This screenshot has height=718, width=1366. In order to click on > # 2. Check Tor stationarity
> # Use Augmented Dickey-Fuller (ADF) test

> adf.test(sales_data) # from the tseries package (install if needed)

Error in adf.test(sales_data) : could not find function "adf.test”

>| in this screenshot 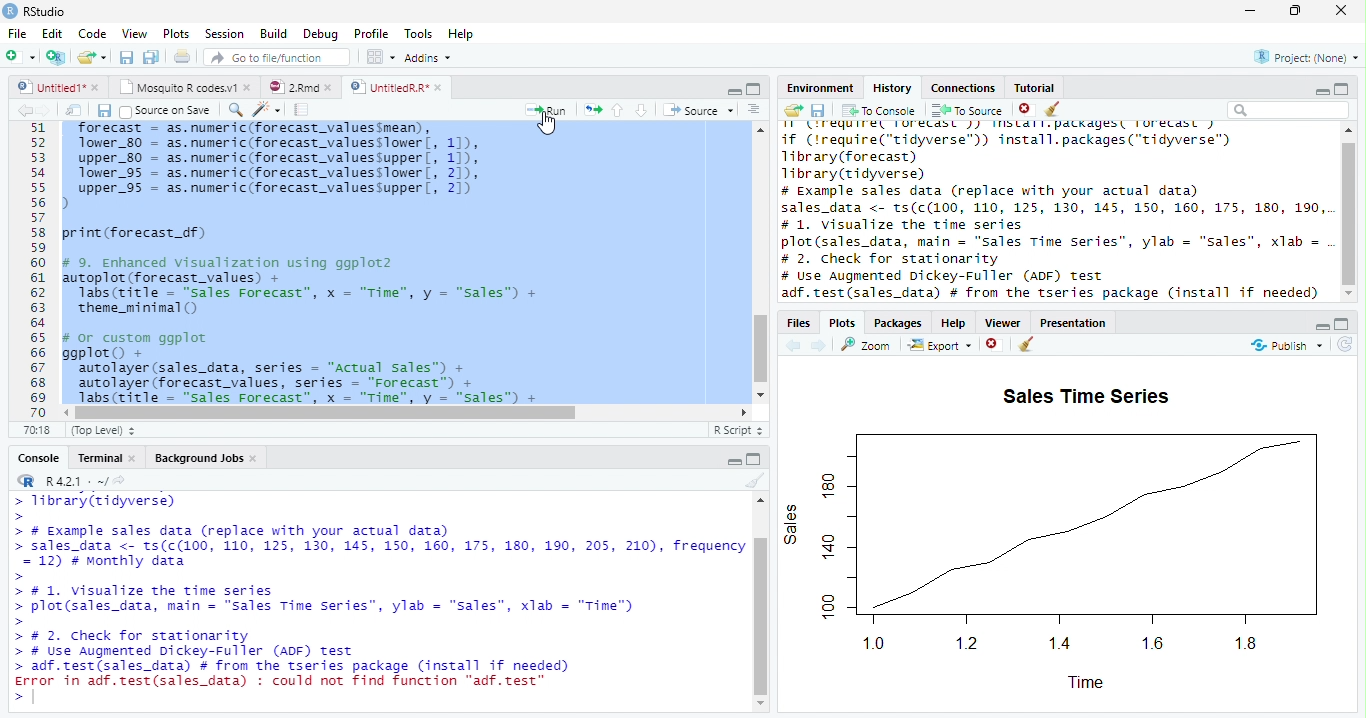, I will do `click(321, 669)`.